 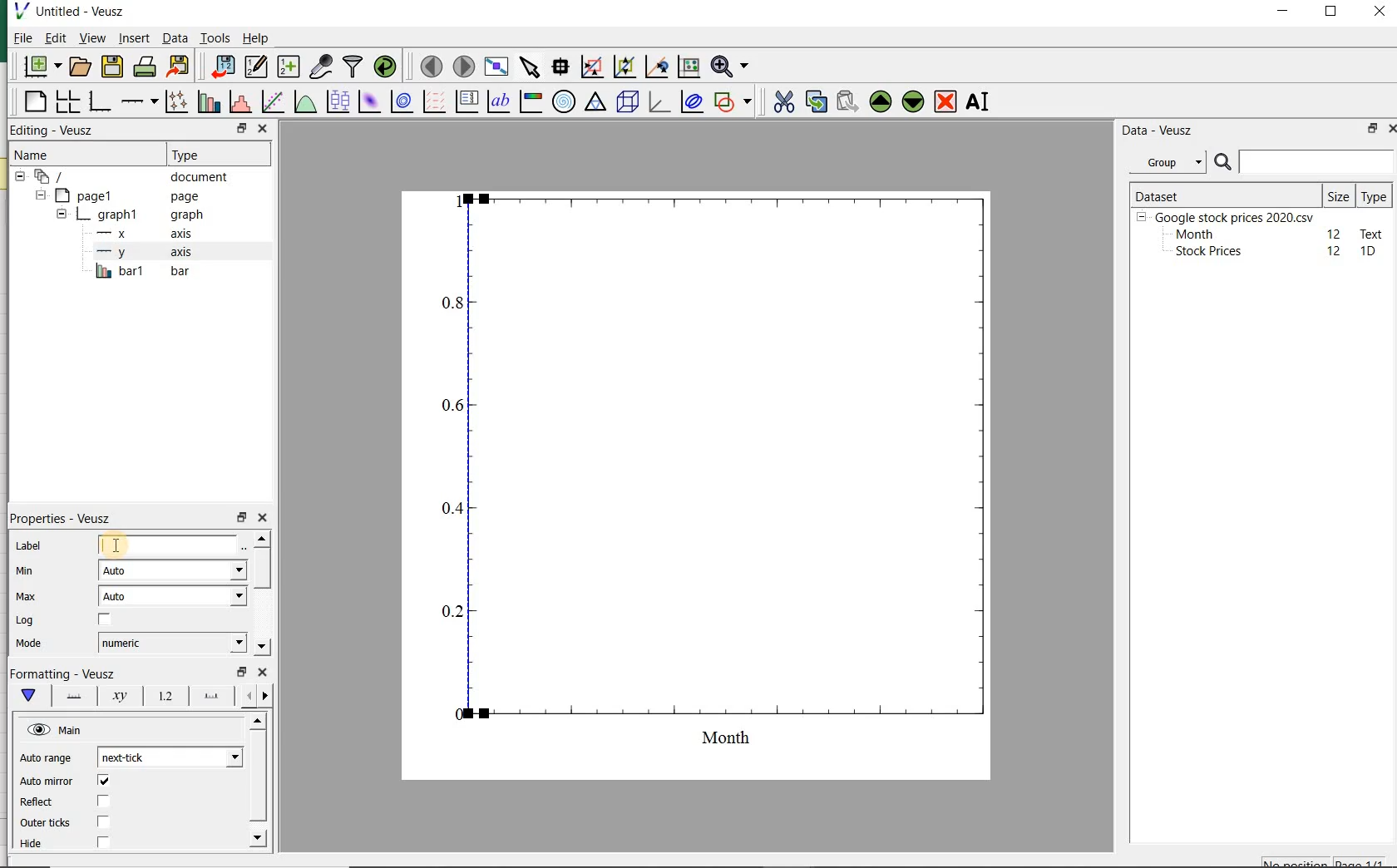 I want to click on Label, so click(x=31, y=547).